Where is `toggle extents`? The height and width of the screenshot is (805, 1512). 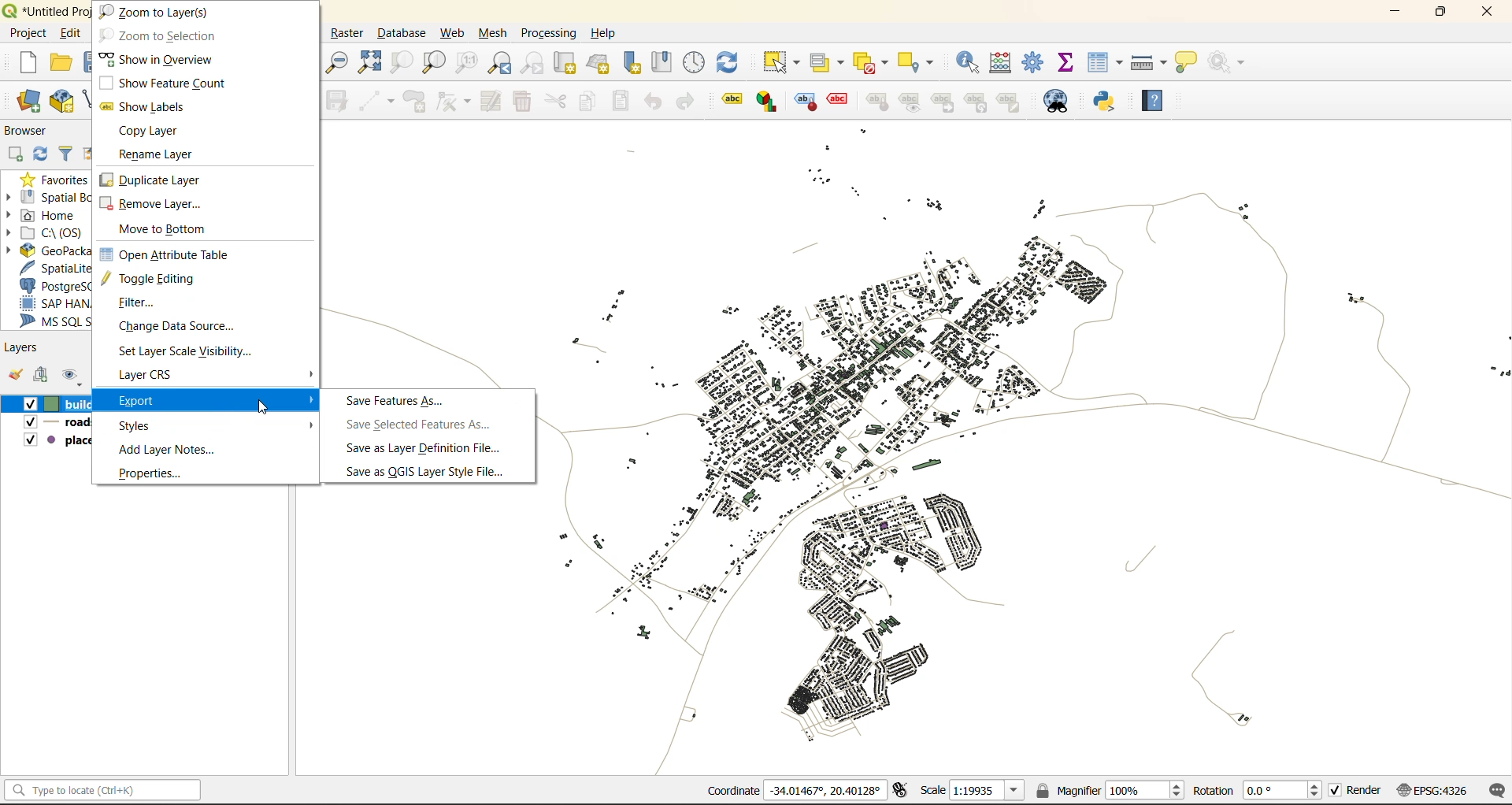 toggle extents is located at coordinates (903, 791).